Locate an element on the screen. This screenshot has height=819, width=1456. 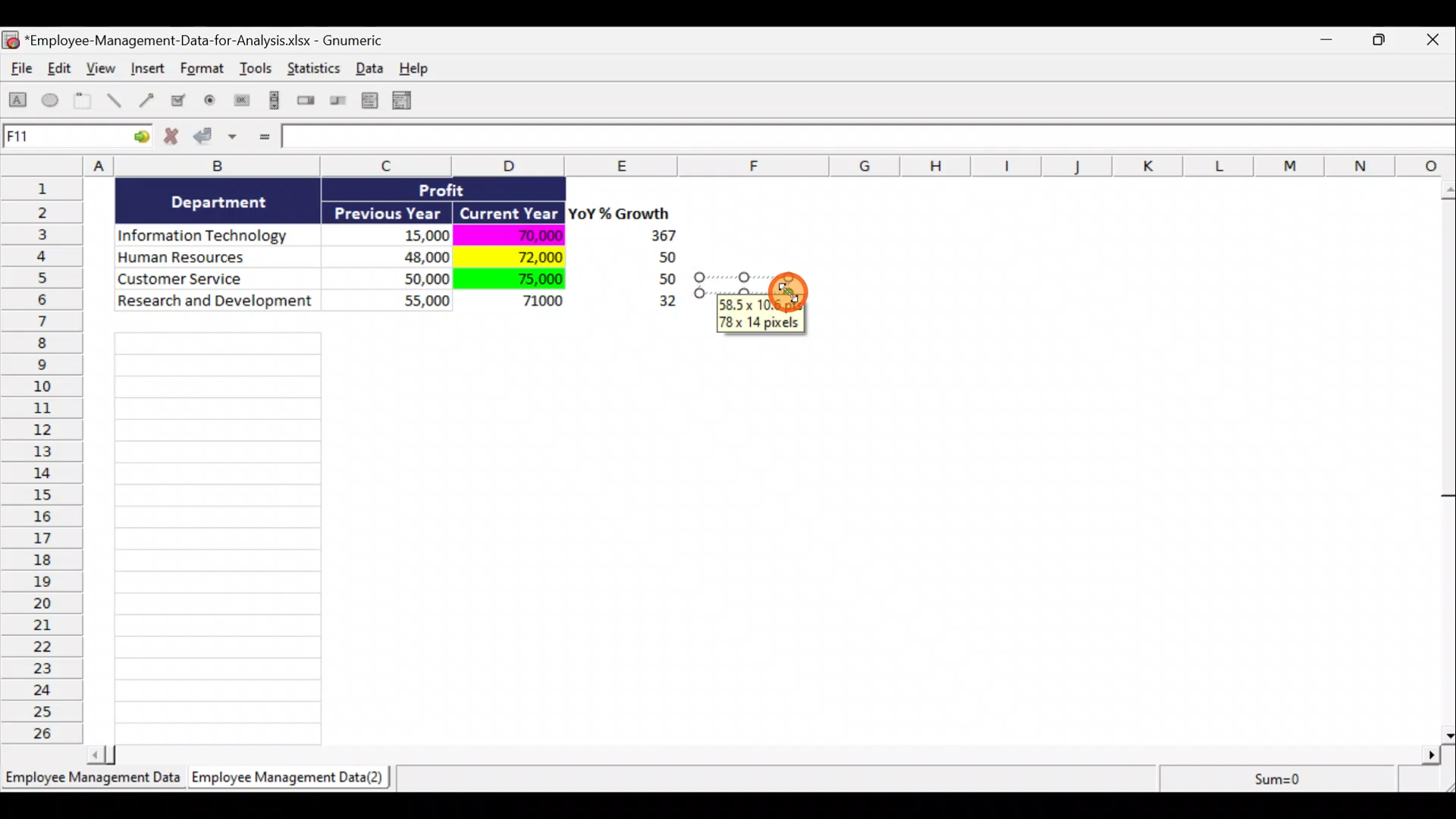
Enter formula is located at coordinates (262, 138).